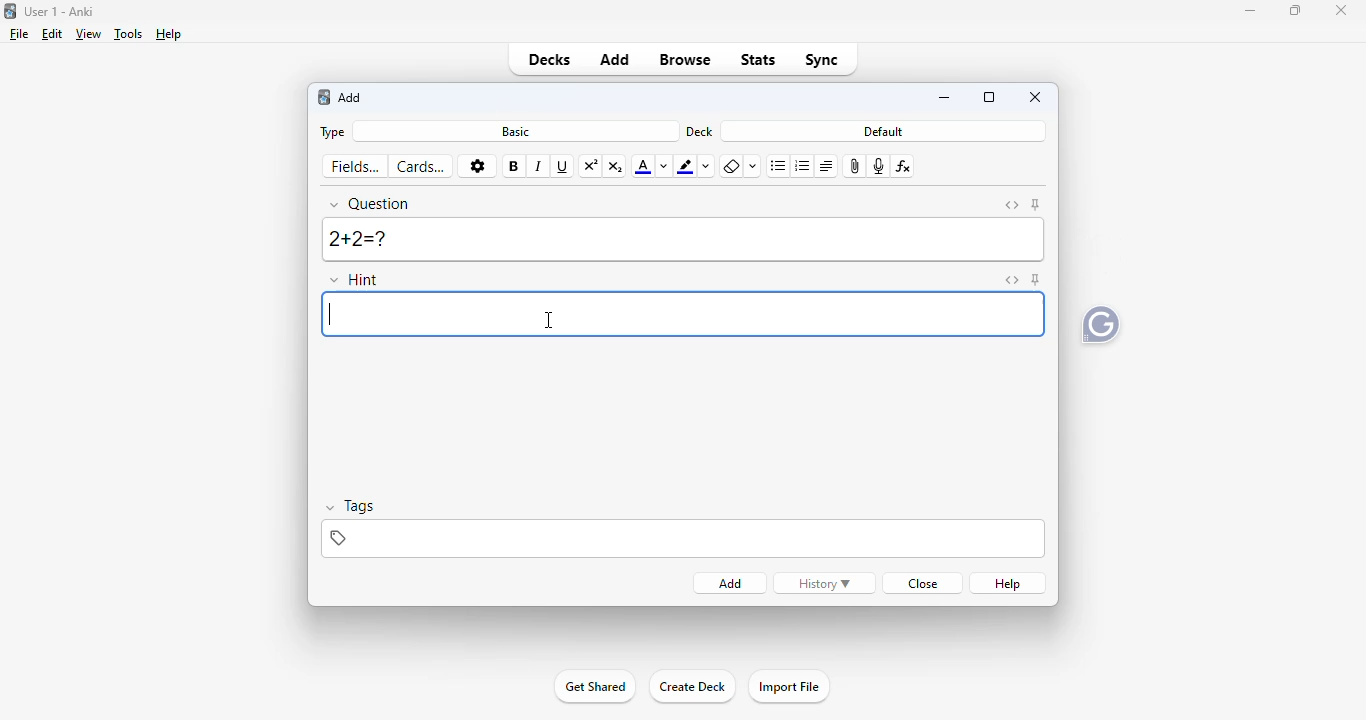  Describe the element at coordinates (698, 132) in the screenshot. I see `deck` at that location.